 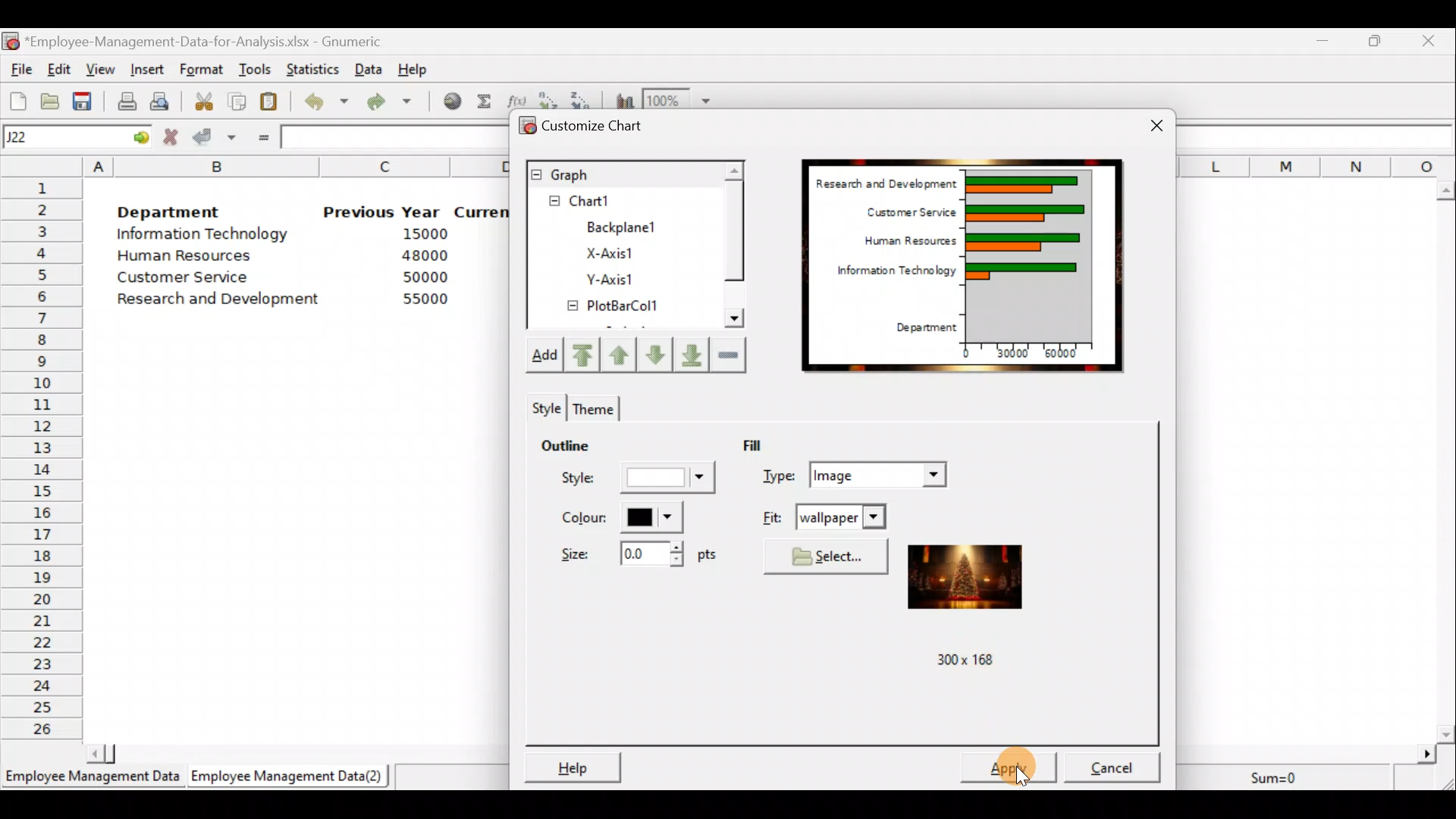 I want to click on Format, so click(x=203, y=67).